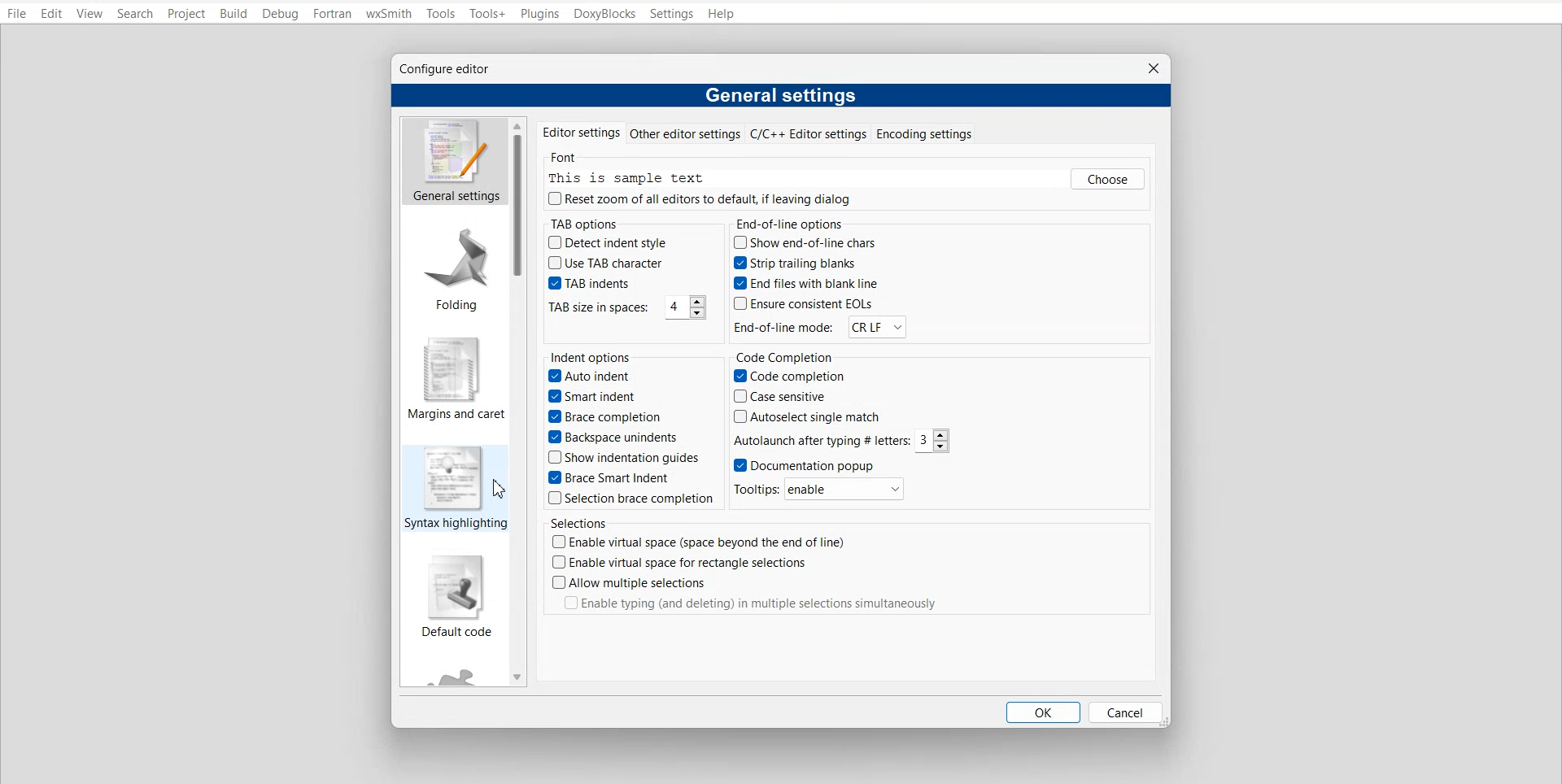 This screenshot has width=1562, height=784. What do you see at coordinates (571, 156) in the screenshot?
I see `Font` at bounding box center [571, 156].